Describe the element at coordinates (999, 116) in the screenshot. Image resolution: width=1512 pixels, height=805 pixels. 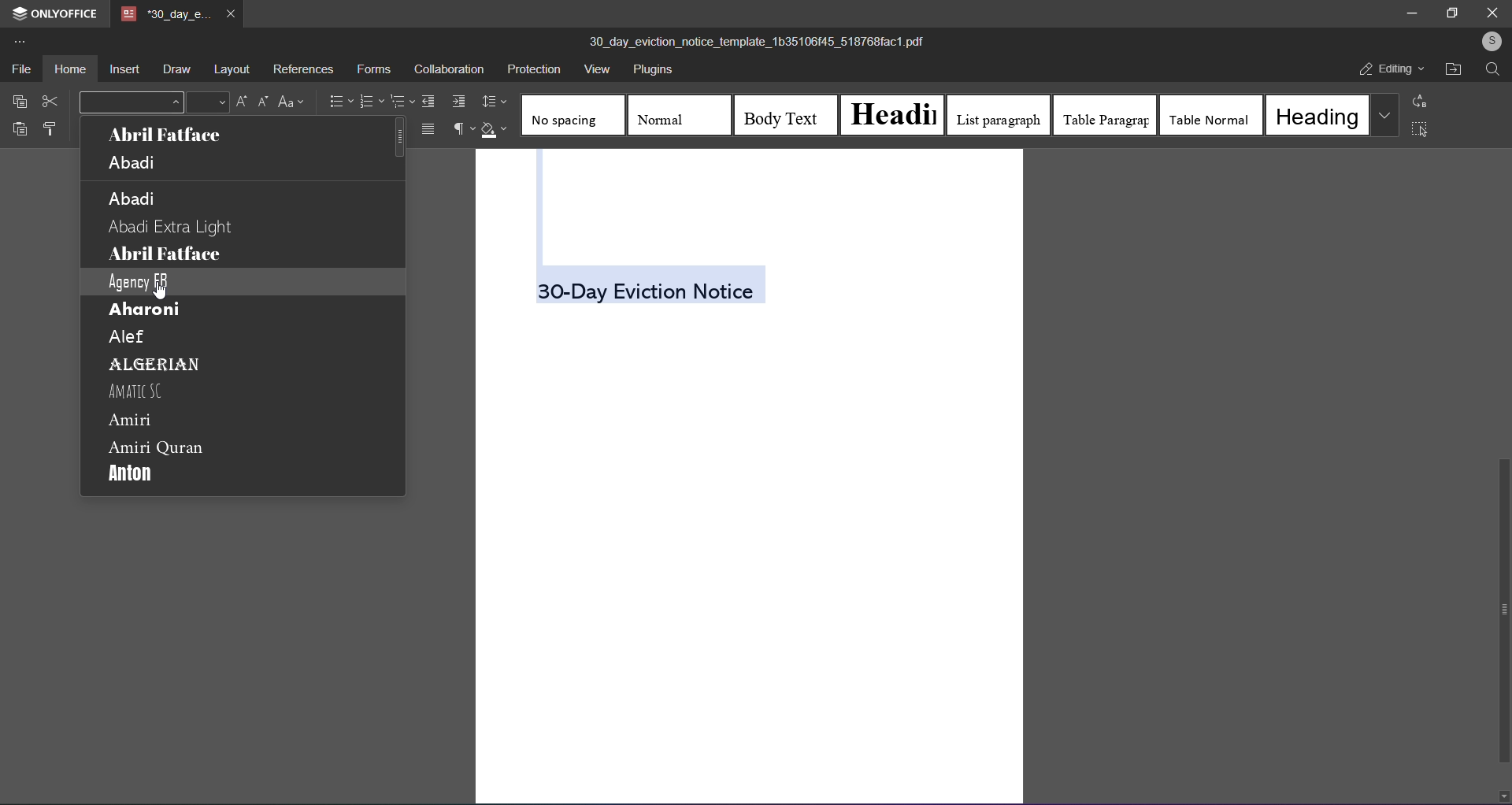
I see `list paragraph` at that location.